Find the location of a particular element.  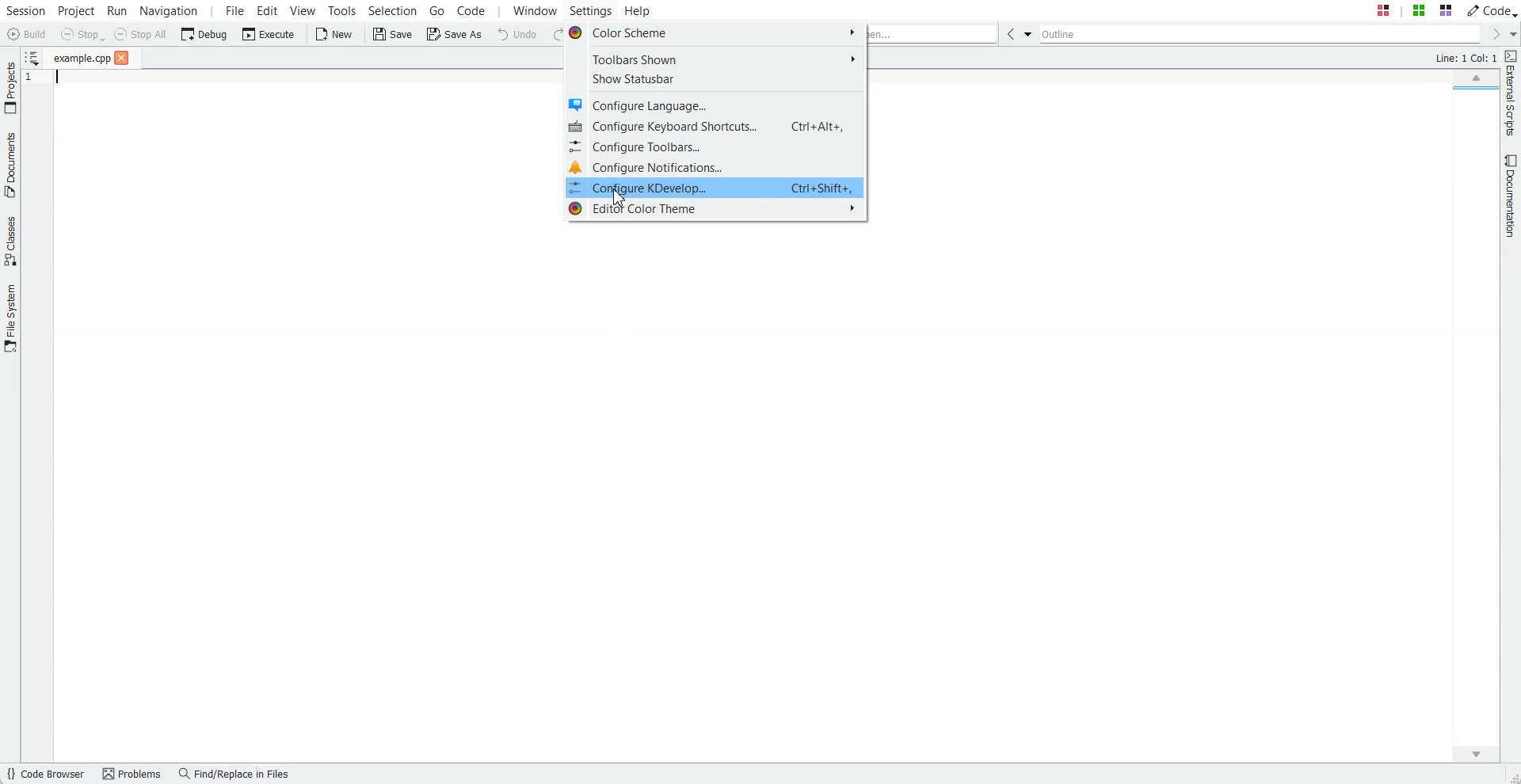

Run is located at coordinates (117, 10).